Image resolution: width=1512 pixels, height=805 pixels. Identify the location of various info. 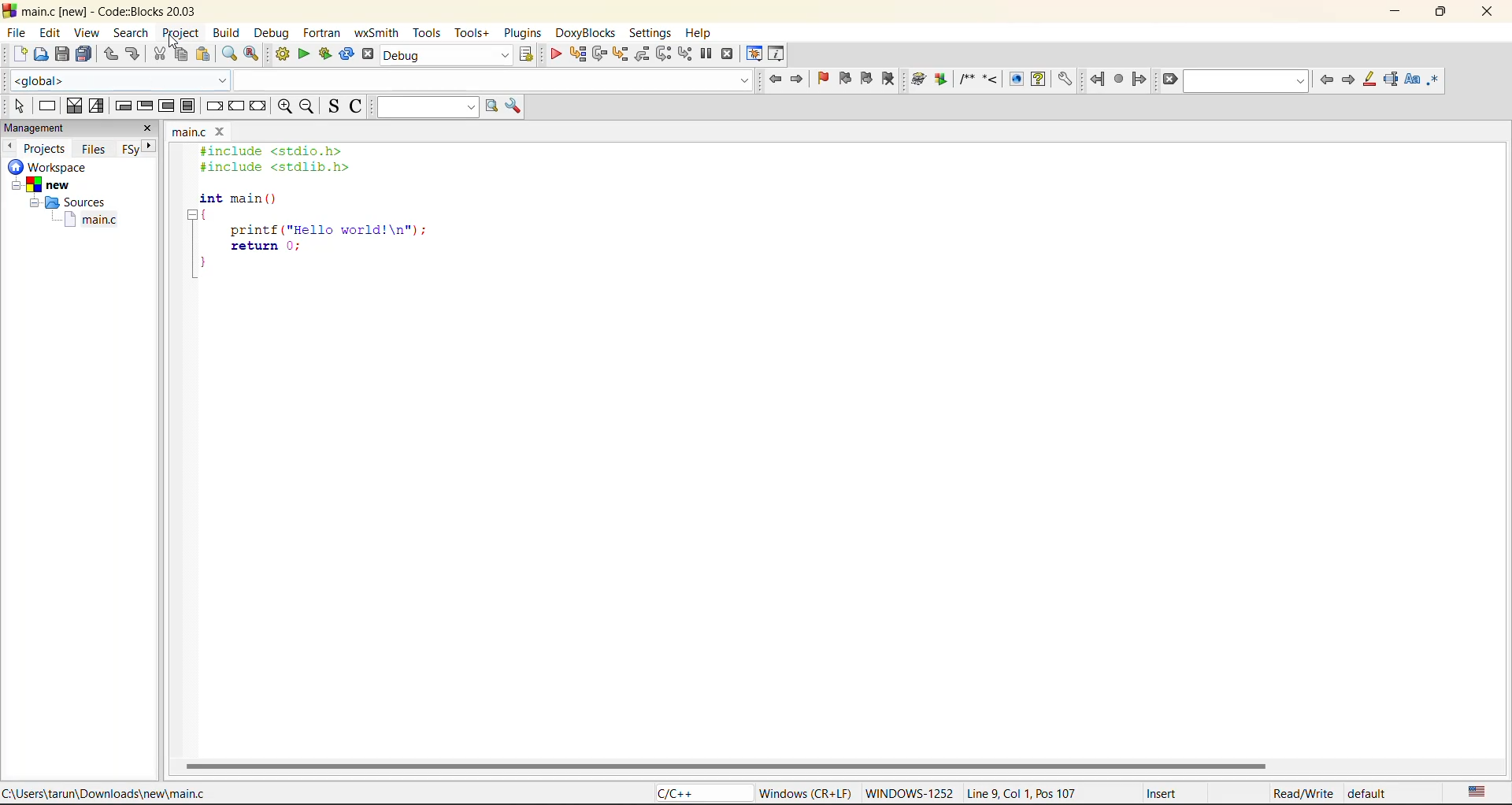
(777, 54).